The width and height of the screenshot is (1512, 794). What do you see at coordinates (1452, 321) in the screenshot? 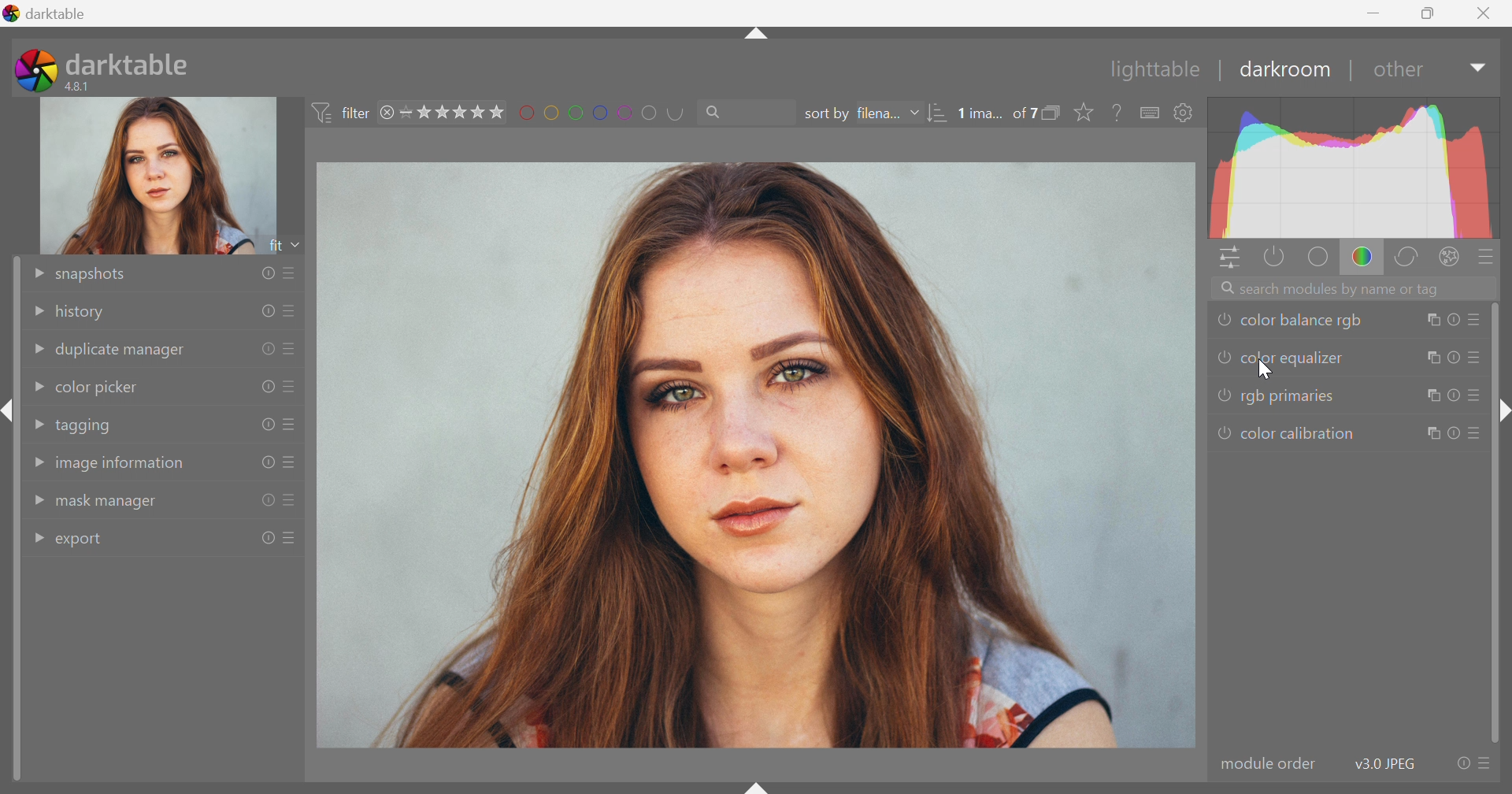
I see `reset` at bounding box center [1452, 321].